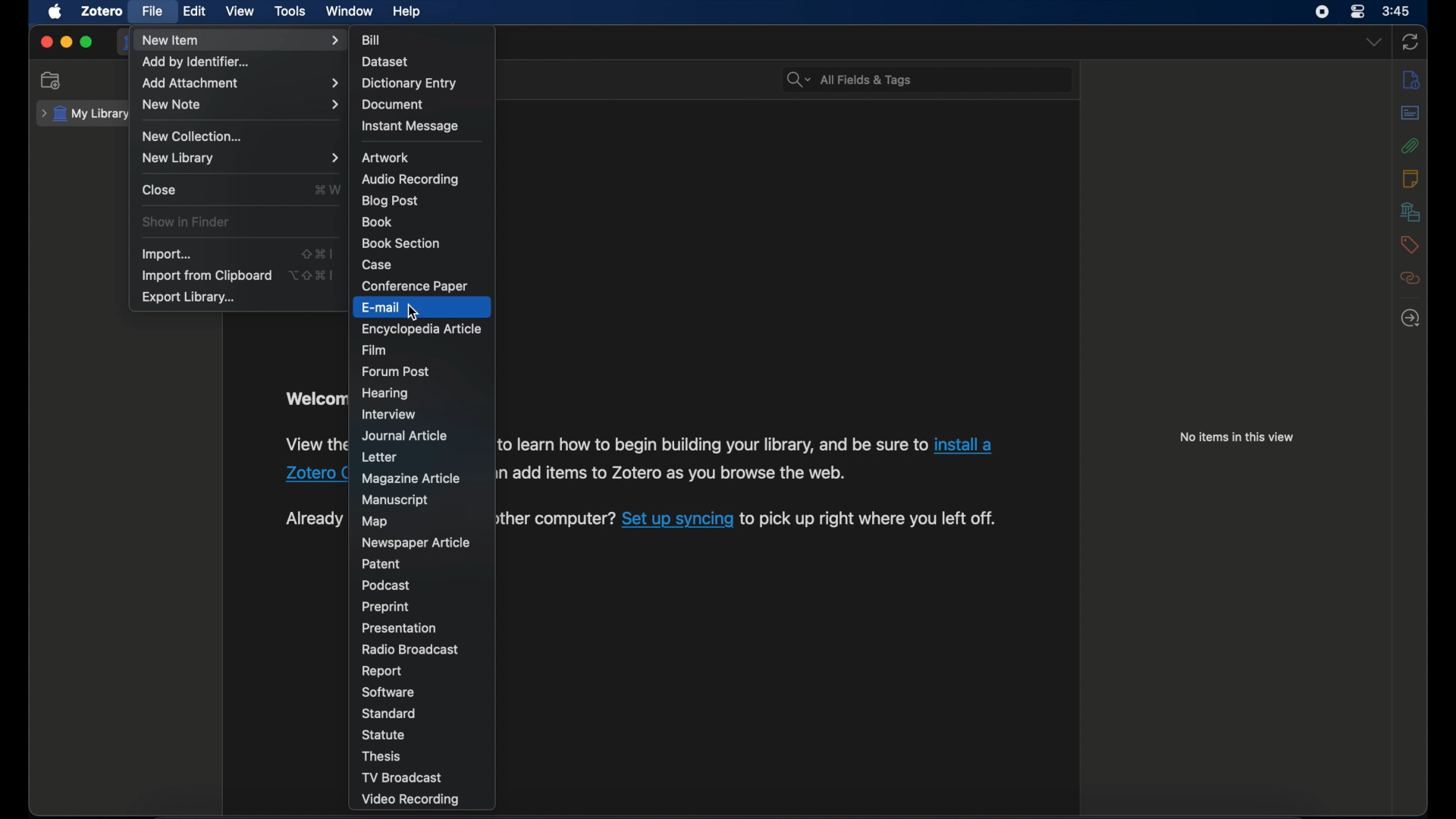 This screenshot has height=819, width=1456. I want to click on help, so click(406, 12).